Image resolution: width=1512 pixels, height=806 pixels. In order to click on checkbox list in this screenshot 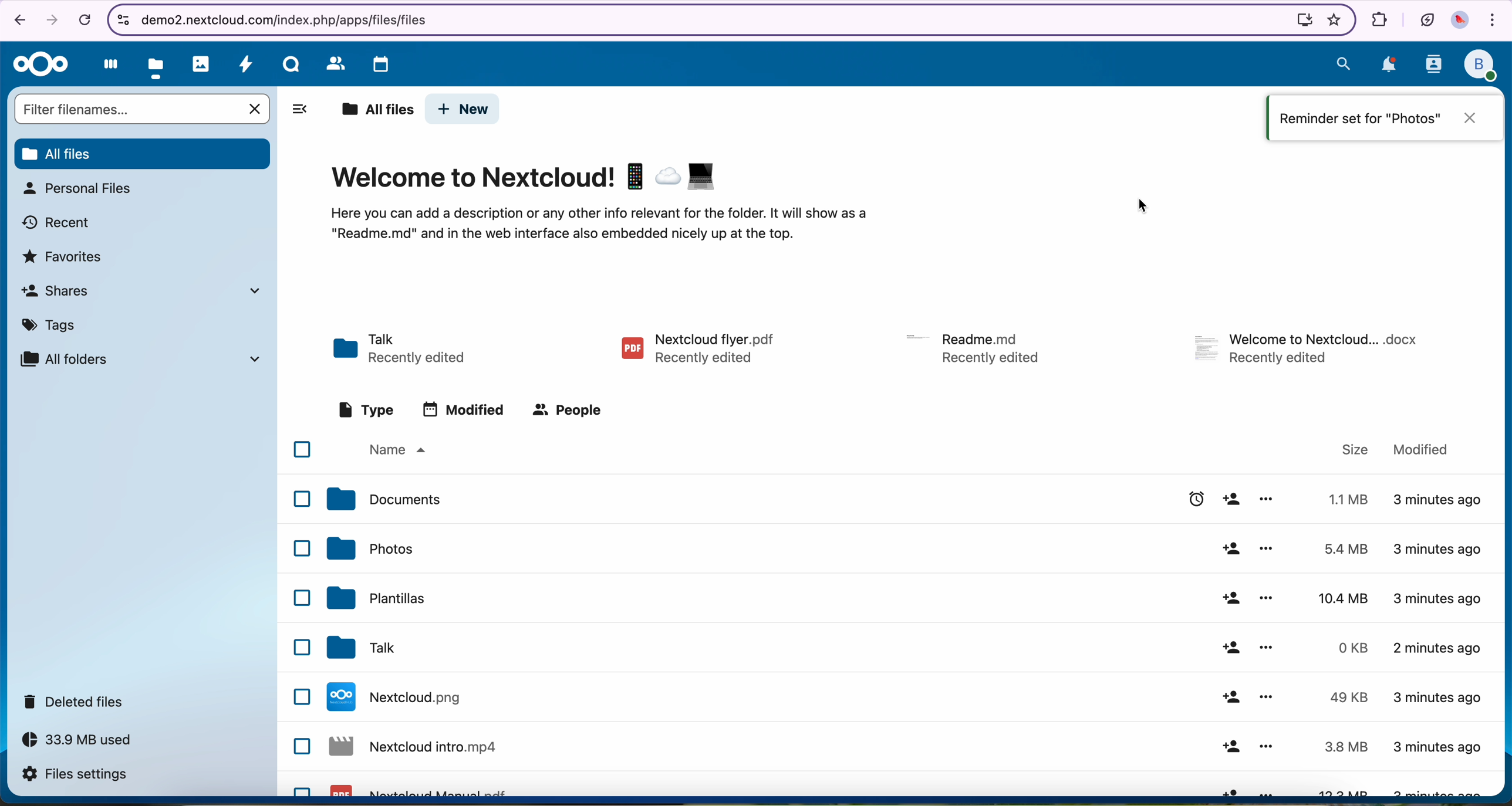, I will do `click(298, 614)`.